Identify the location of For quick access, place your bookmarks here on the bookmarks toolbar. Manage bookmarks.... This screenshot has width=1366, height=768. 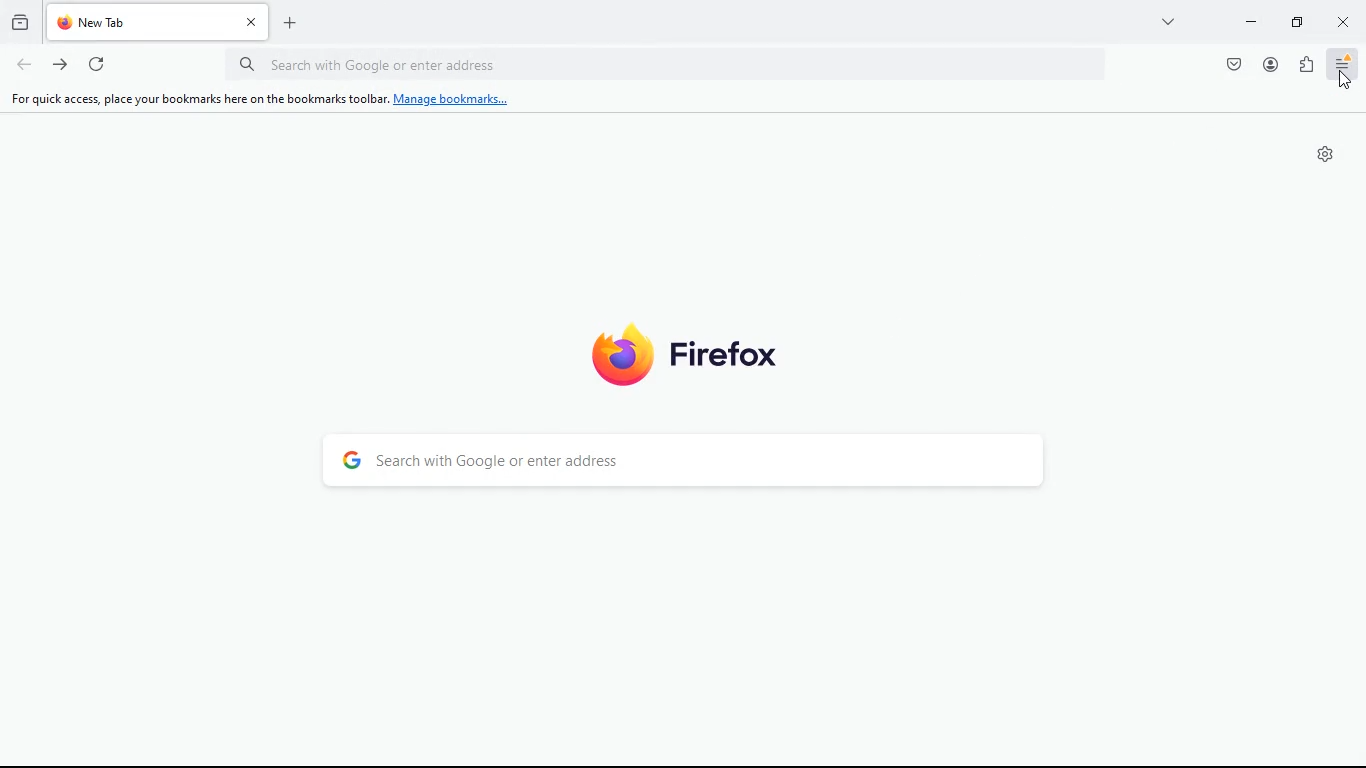
(260, 99).